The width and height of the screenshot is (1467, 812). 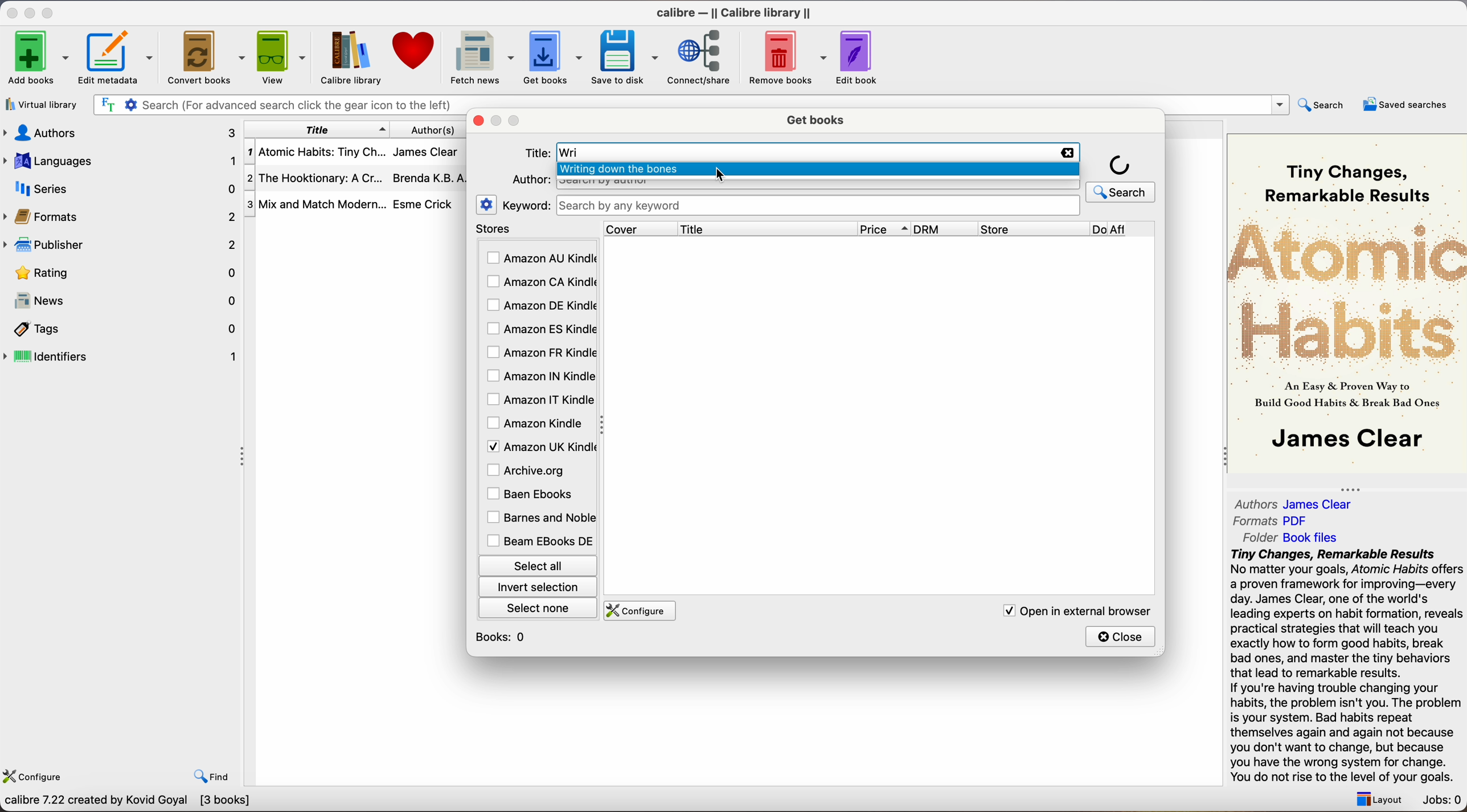 I want to click on series, so click(x=121, y=188).